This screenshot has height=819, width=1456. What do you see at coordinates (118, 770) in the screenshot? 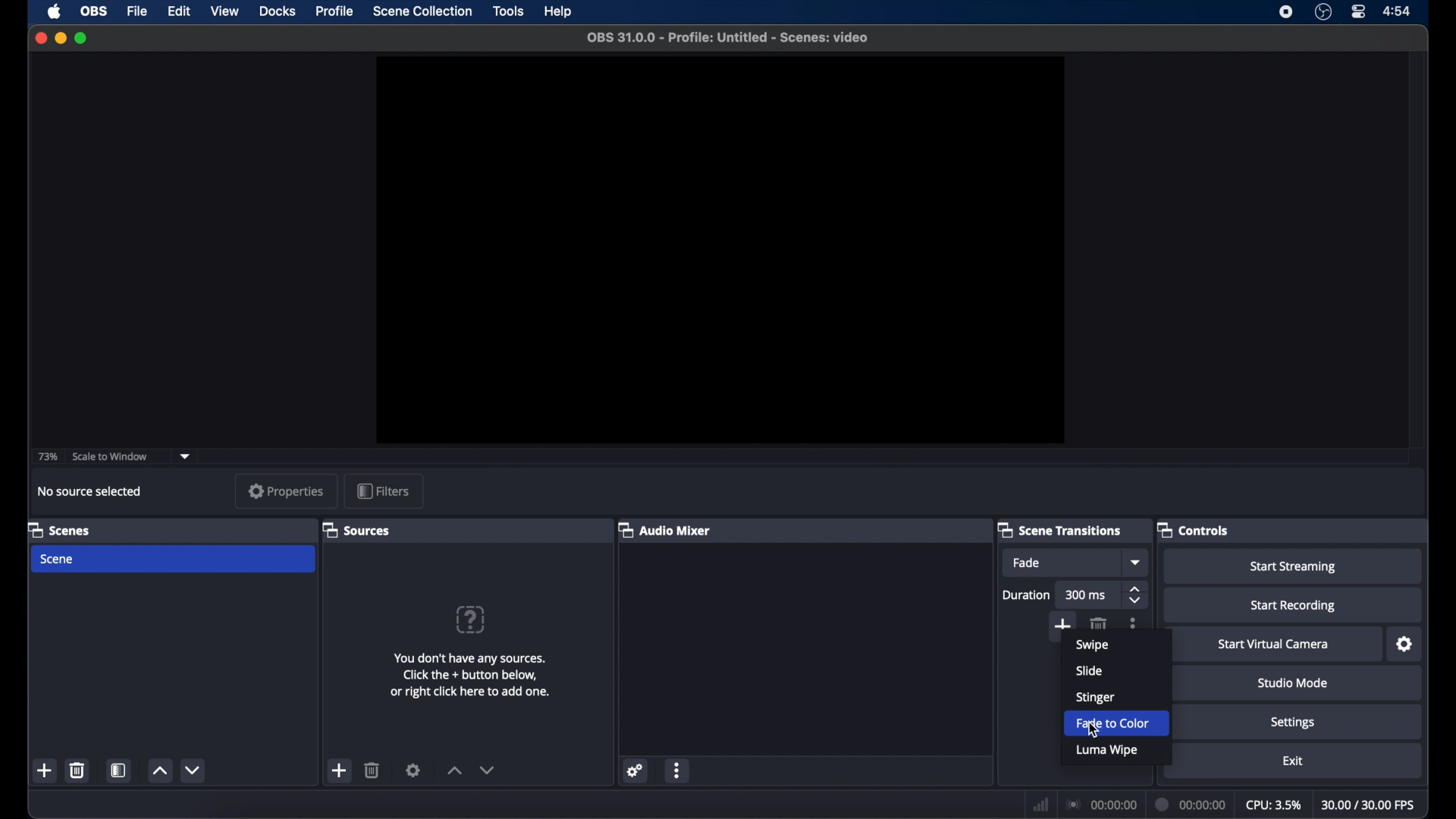
I see `scene filters` at bounding box center [118, 770].